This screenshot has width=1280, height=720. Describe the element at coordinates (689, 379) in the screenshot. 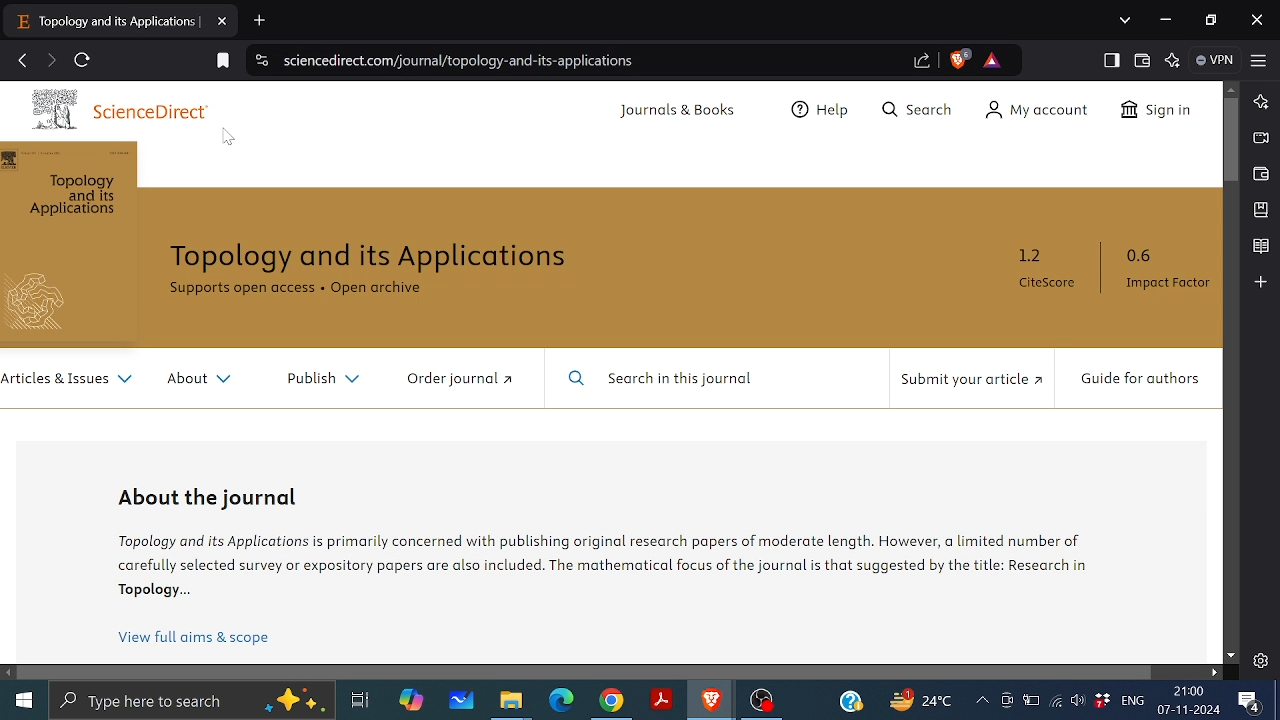

I see `search in this journal` at that location.